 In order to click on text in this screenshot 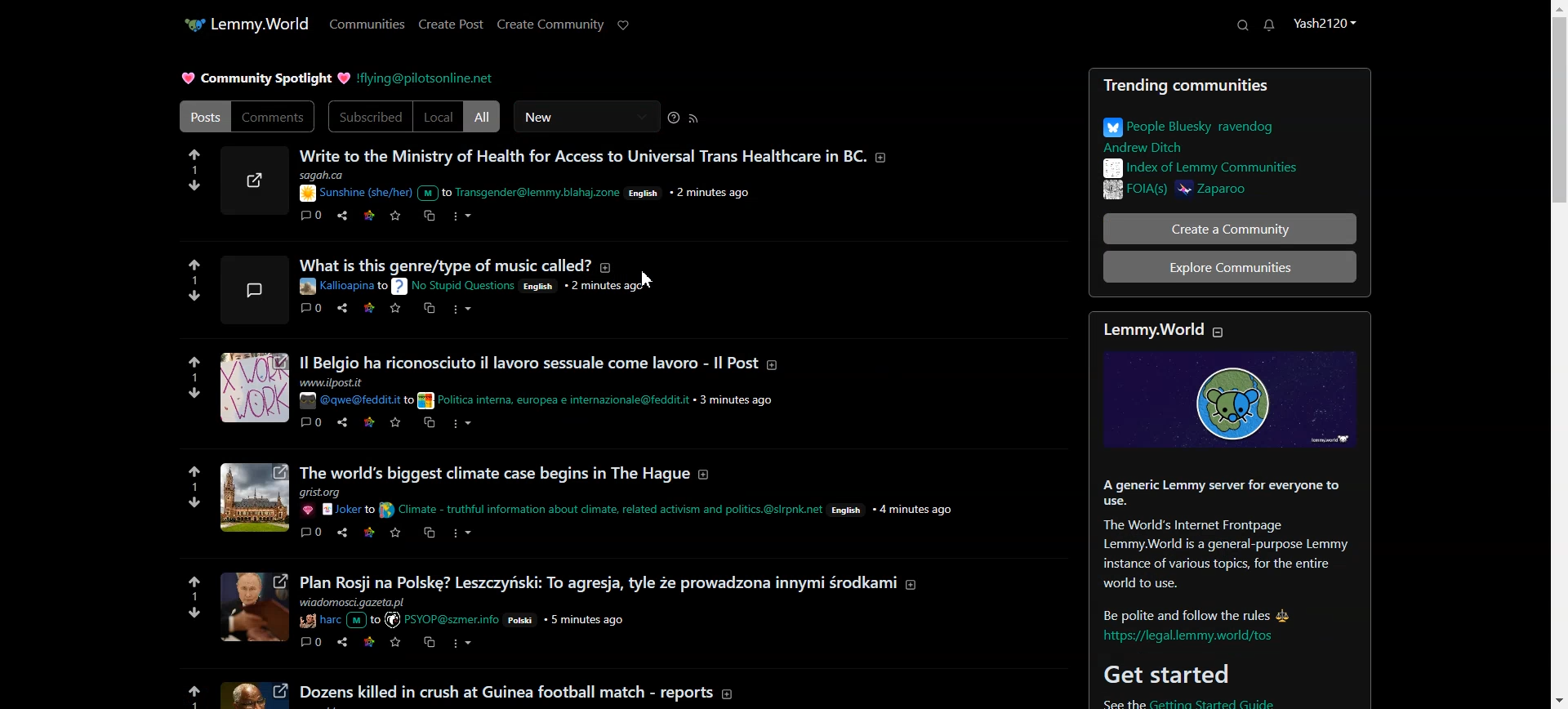, I will do `click(581, 510)`.